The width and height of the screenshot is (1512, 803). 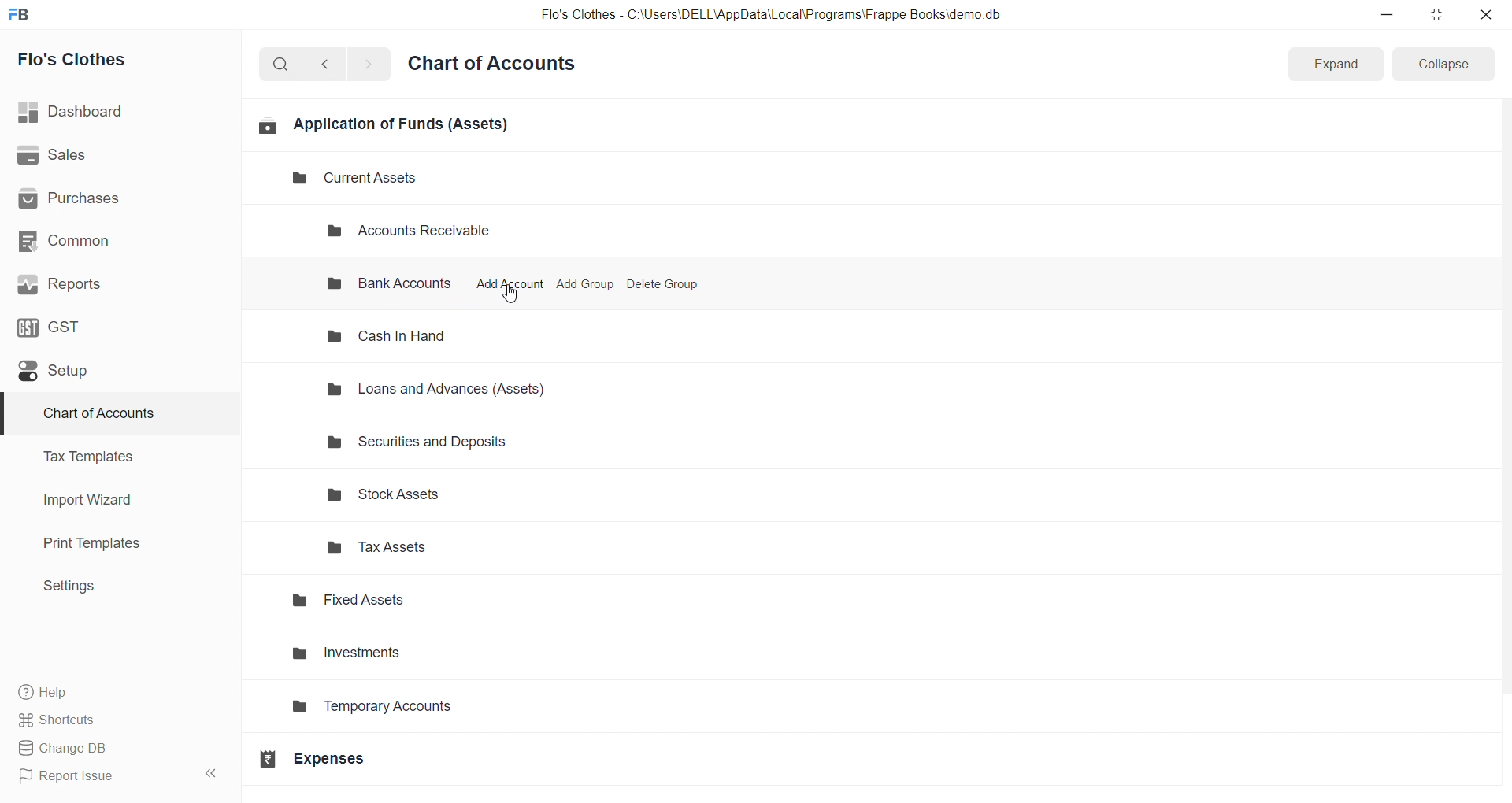 I want to click on Expand, so click(x=1334, y=65).